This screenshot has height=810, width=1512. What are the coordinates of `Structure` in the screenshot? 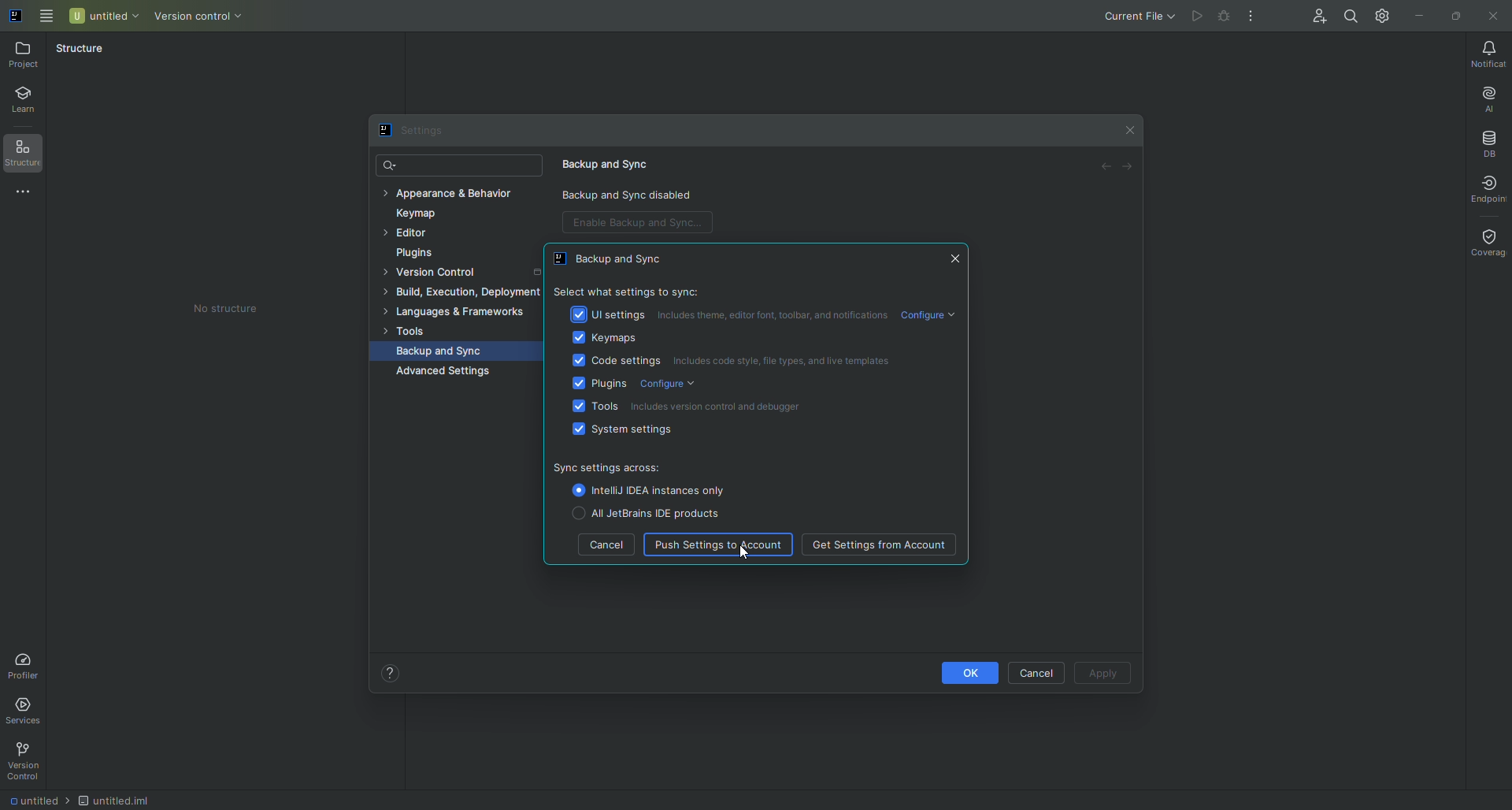 It's located at (29, 155).